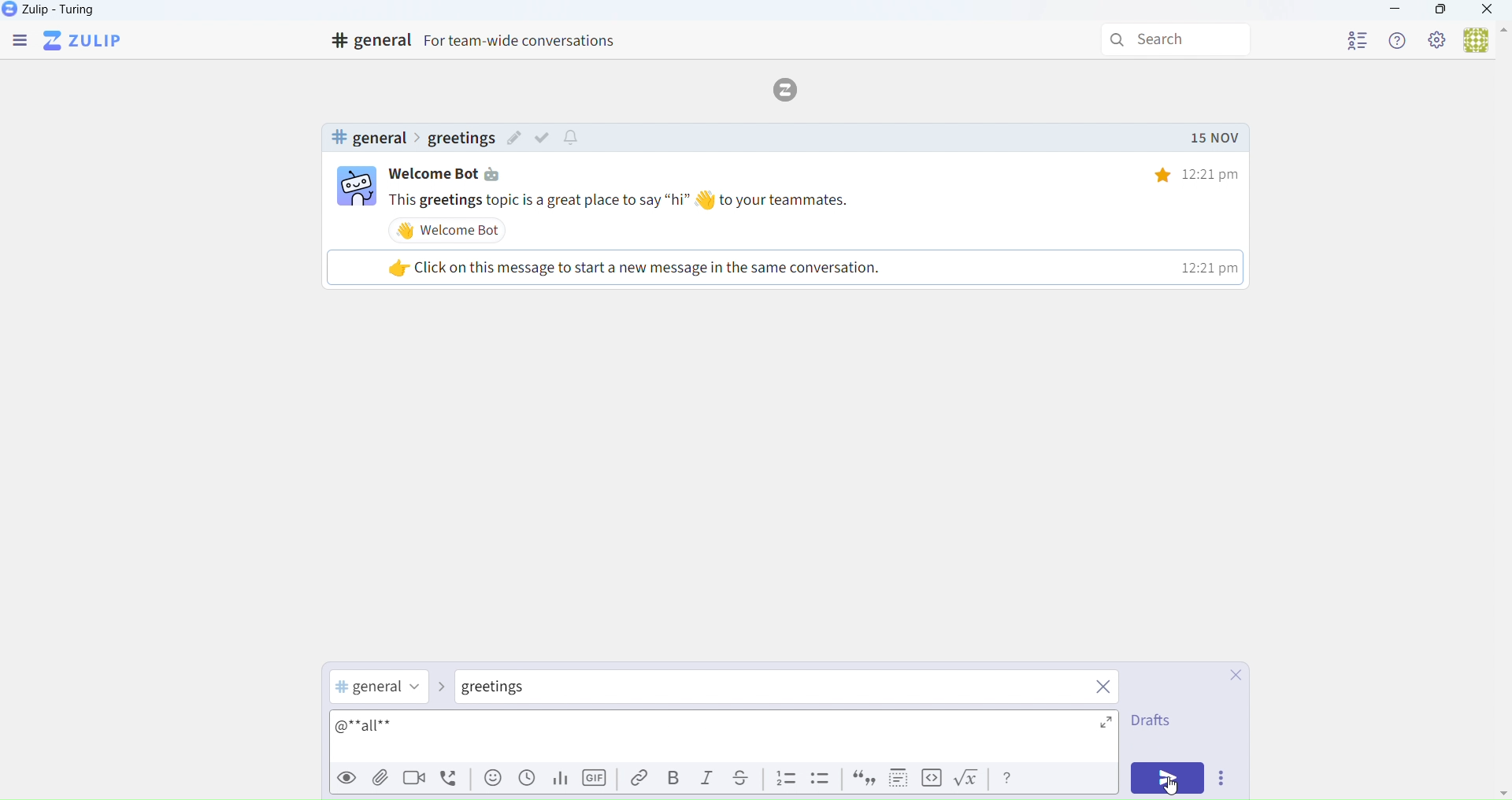 This screenshot has height=800, width=1512. I want to click on close, so click(1104, 686).